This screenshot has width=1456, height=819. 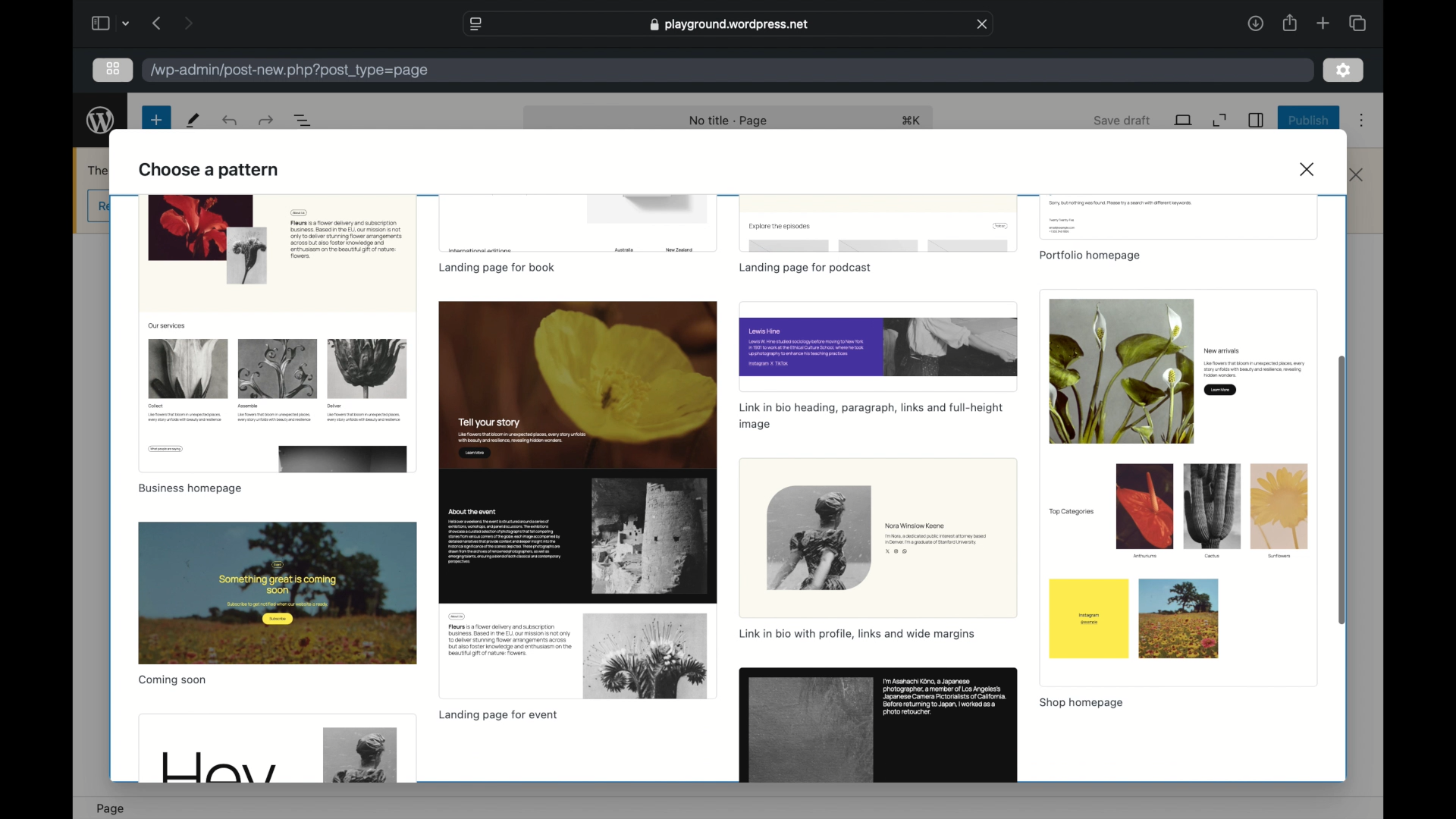 What do you see at coordinates (278, 593) in the screenshot?
I see `preview` at bounding box center [278, 593].